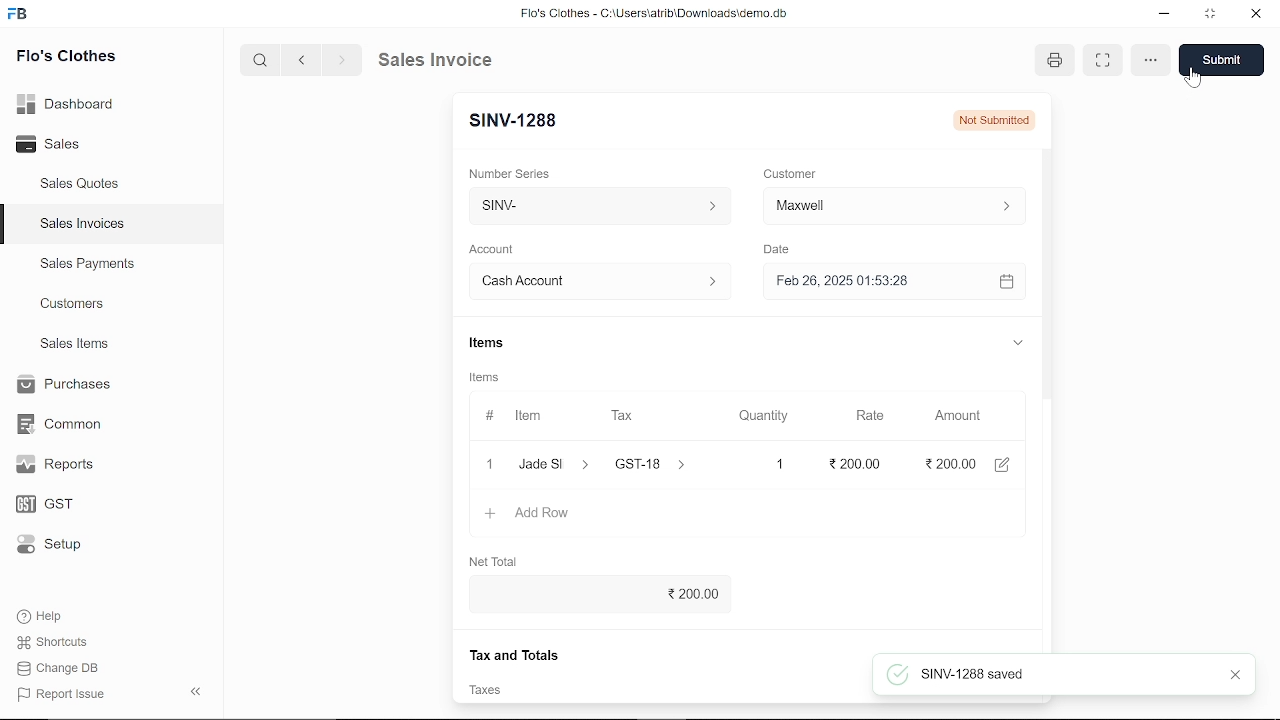 The width and height of the screenshot is (1280, 720). What do you see at coordinates (73, 304) in the screenshot?
I see `Customers.` at bounding box center [73, 304].